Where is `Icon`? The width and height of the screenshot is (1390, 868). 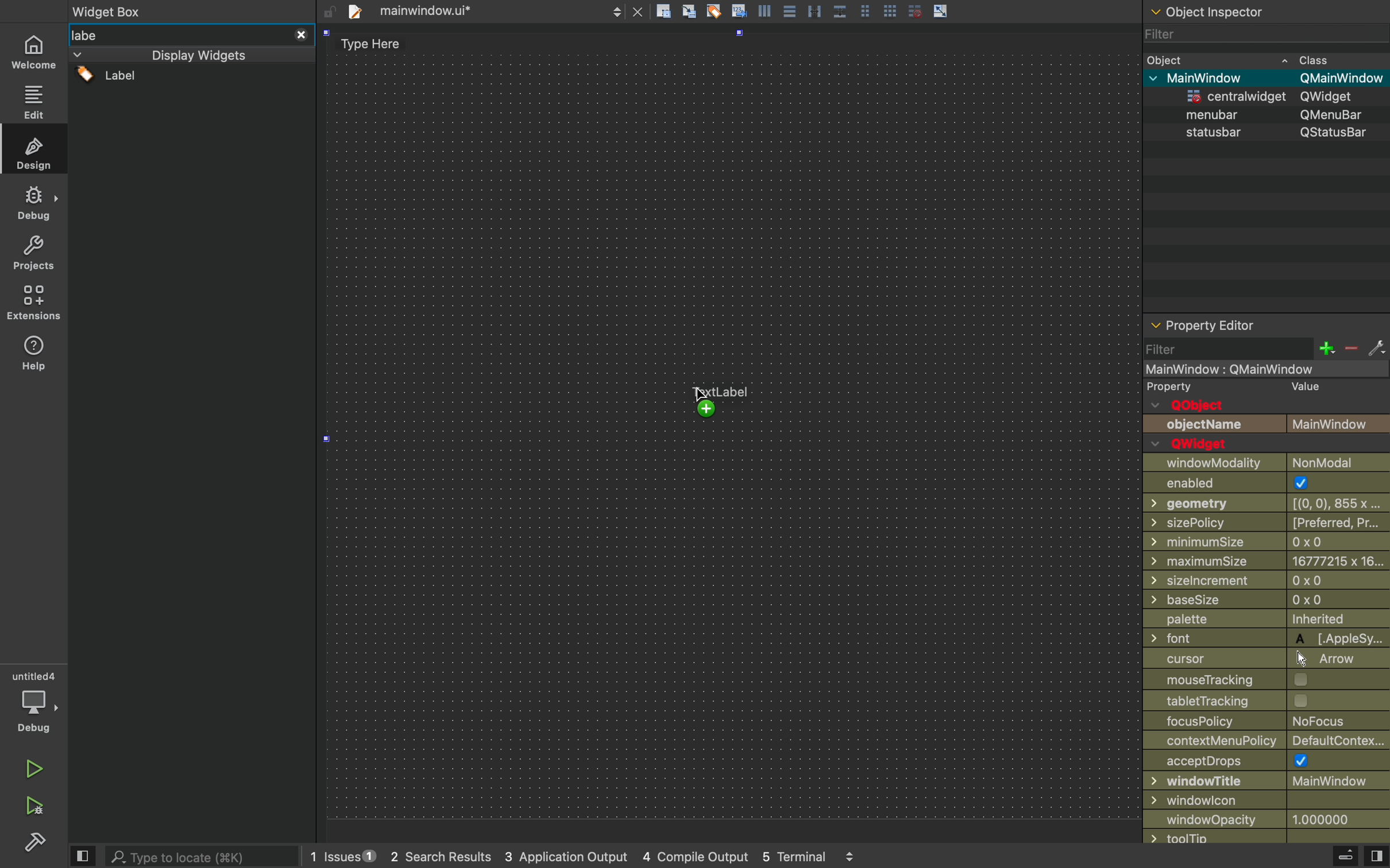 Icon is located at coordinates (739, 10).